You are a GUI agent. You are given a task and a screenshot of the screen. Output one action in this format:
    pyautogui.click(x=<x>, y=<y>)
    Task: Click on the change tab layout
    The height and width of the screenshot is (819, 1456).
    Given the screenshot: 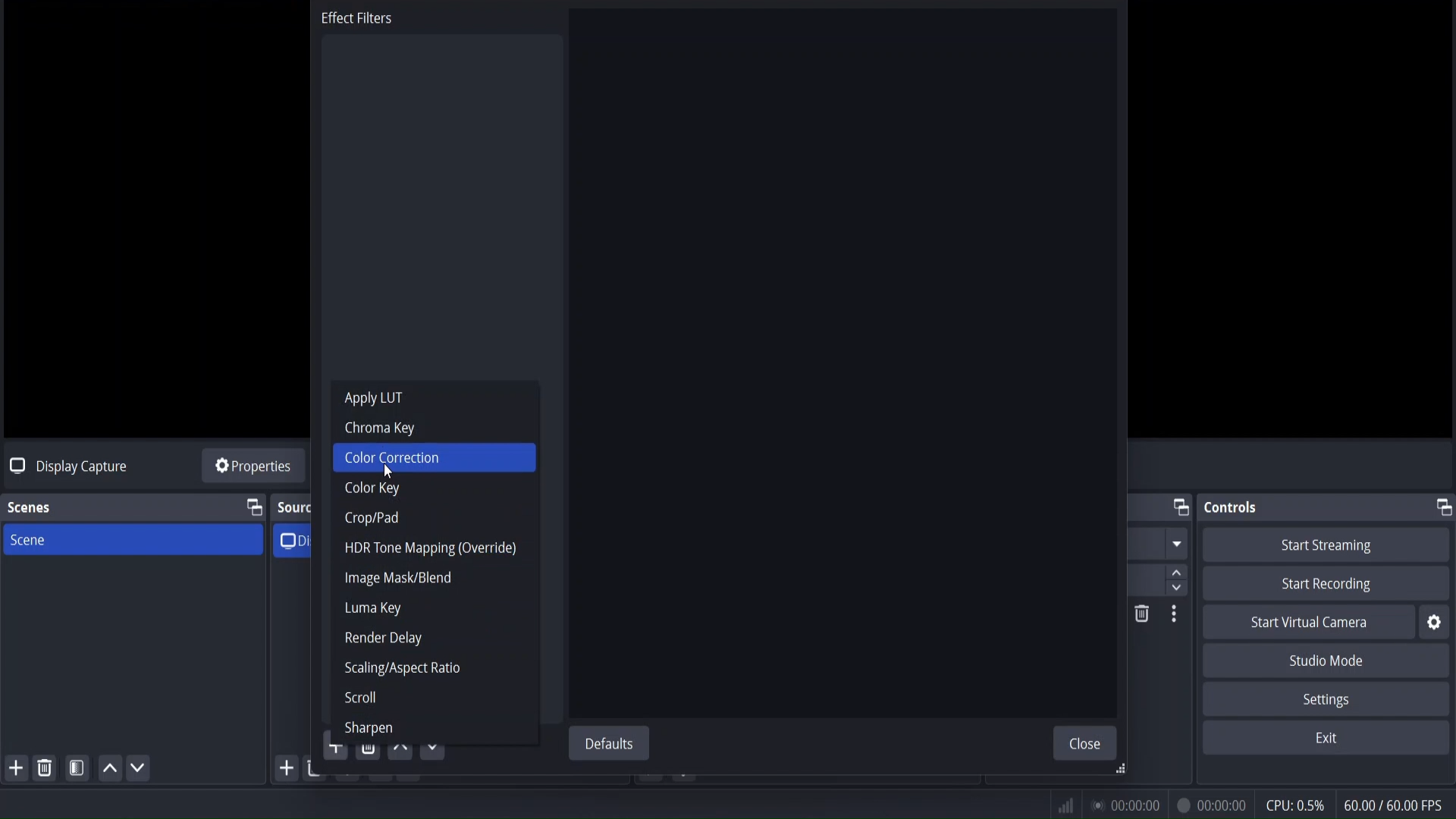 What is the action you would take?
    pyautogui.click(x=1442, y=507)
    